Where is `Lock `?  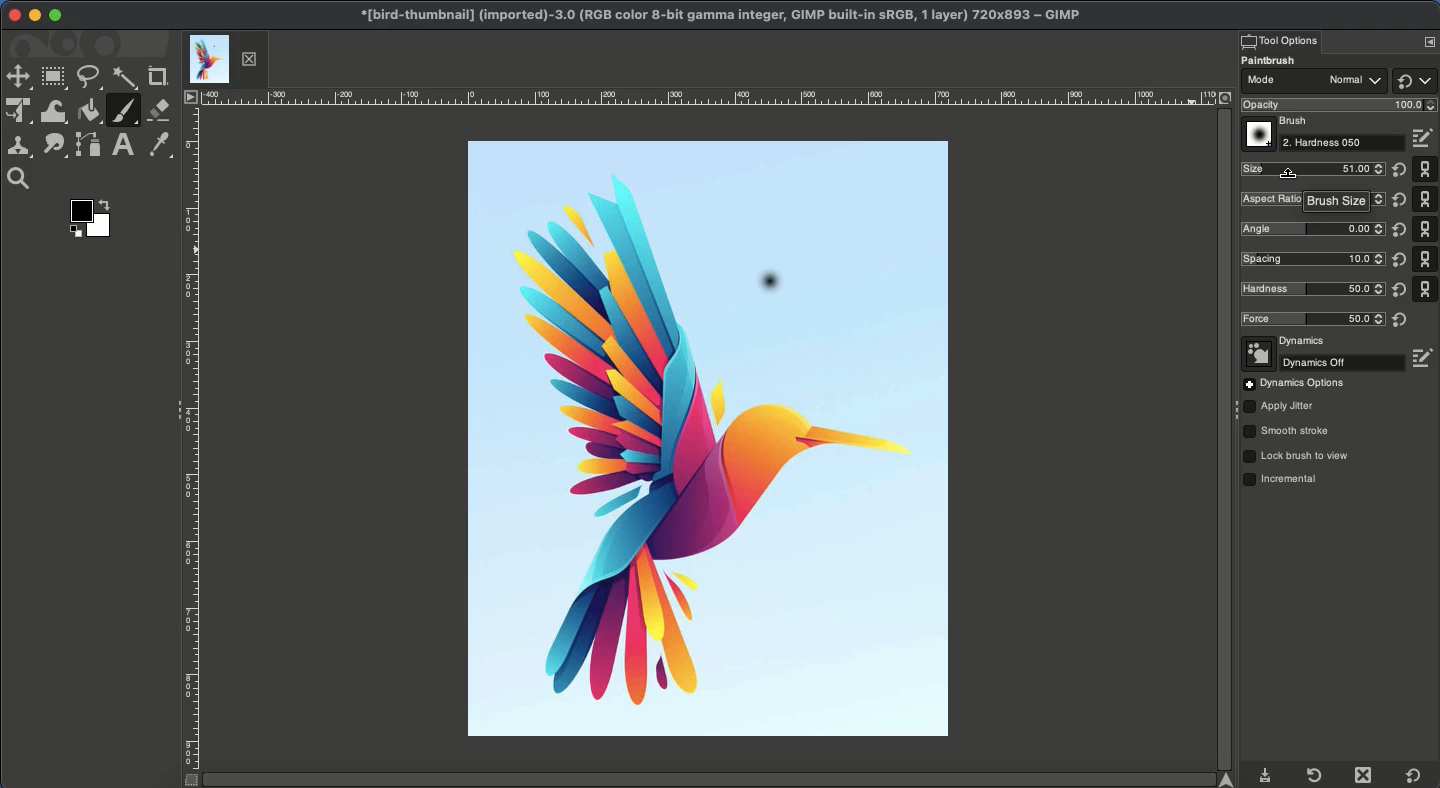 Lock  is located at coordinates (1297, 456).